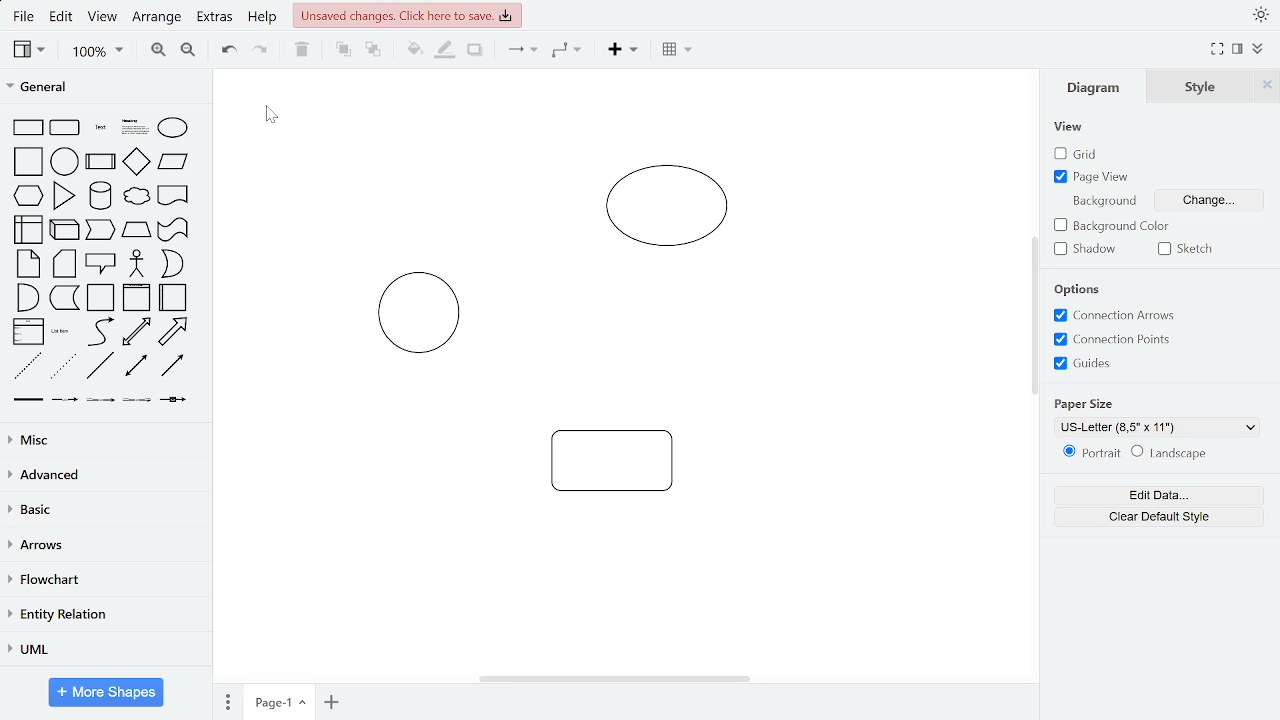 This screenshot has height=720, width=1280. What do you see at coordinates (1114, 340) in the screenshot?
I see `guides` at bounding box center [1114, 340].